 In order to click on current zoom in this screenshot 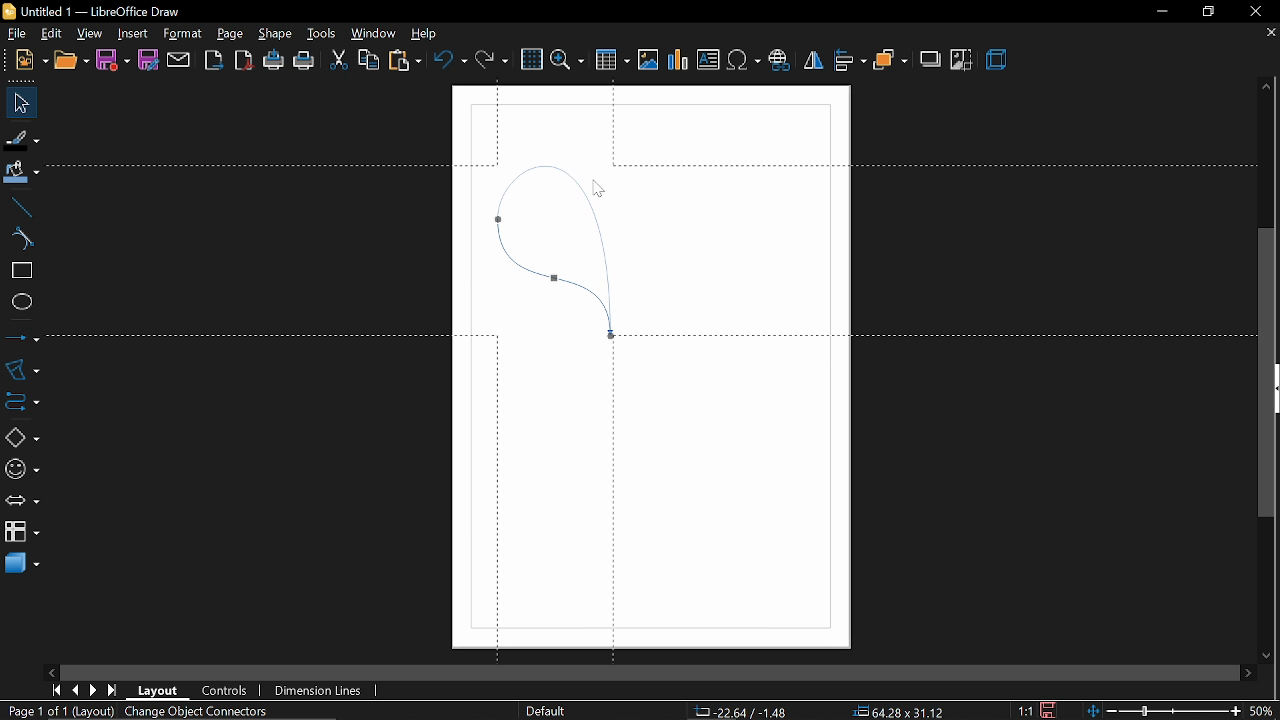, I will do `click(1264, 711)`.